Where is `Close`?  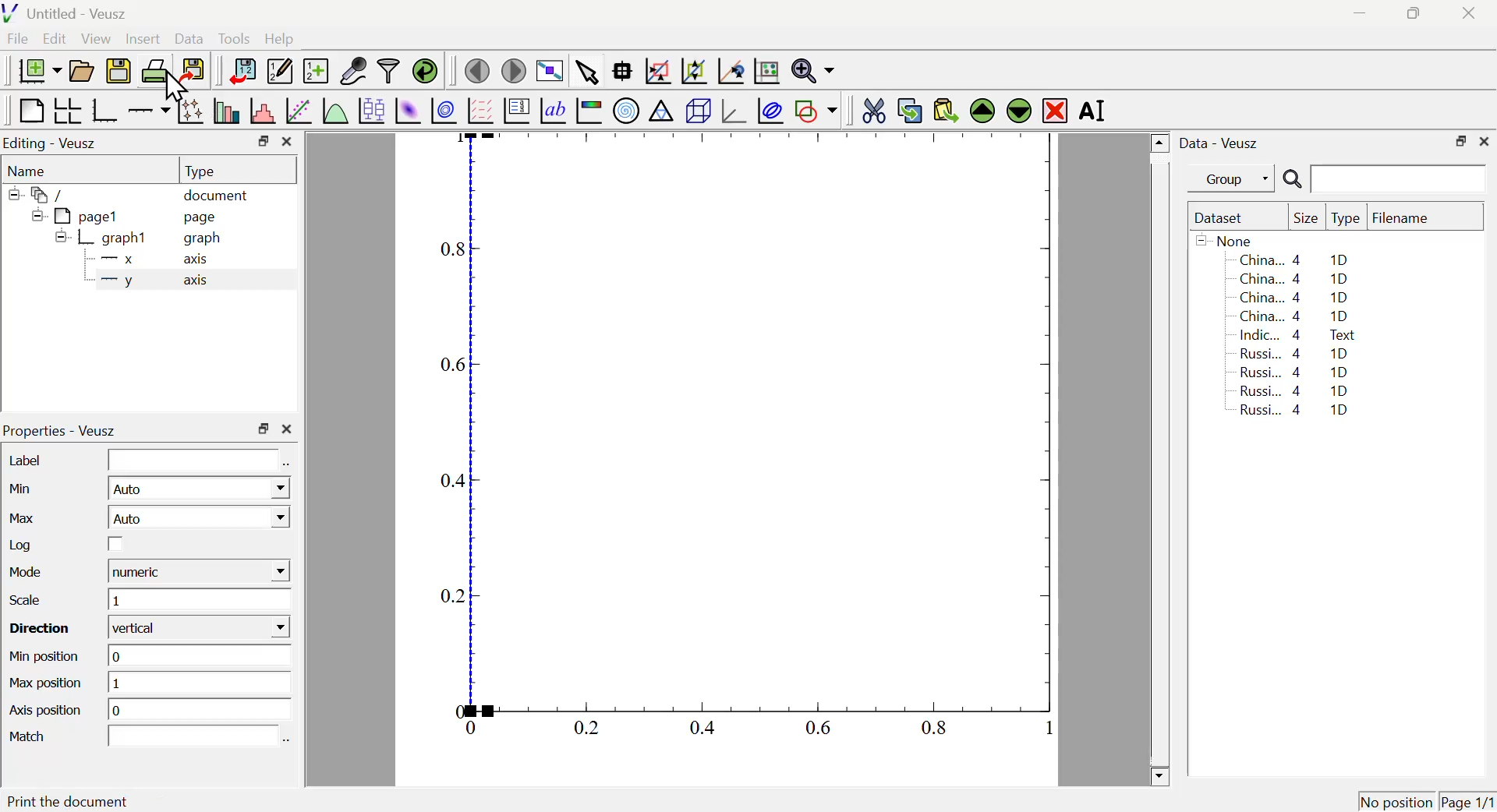
Close is located at coordinates (1466, 15).